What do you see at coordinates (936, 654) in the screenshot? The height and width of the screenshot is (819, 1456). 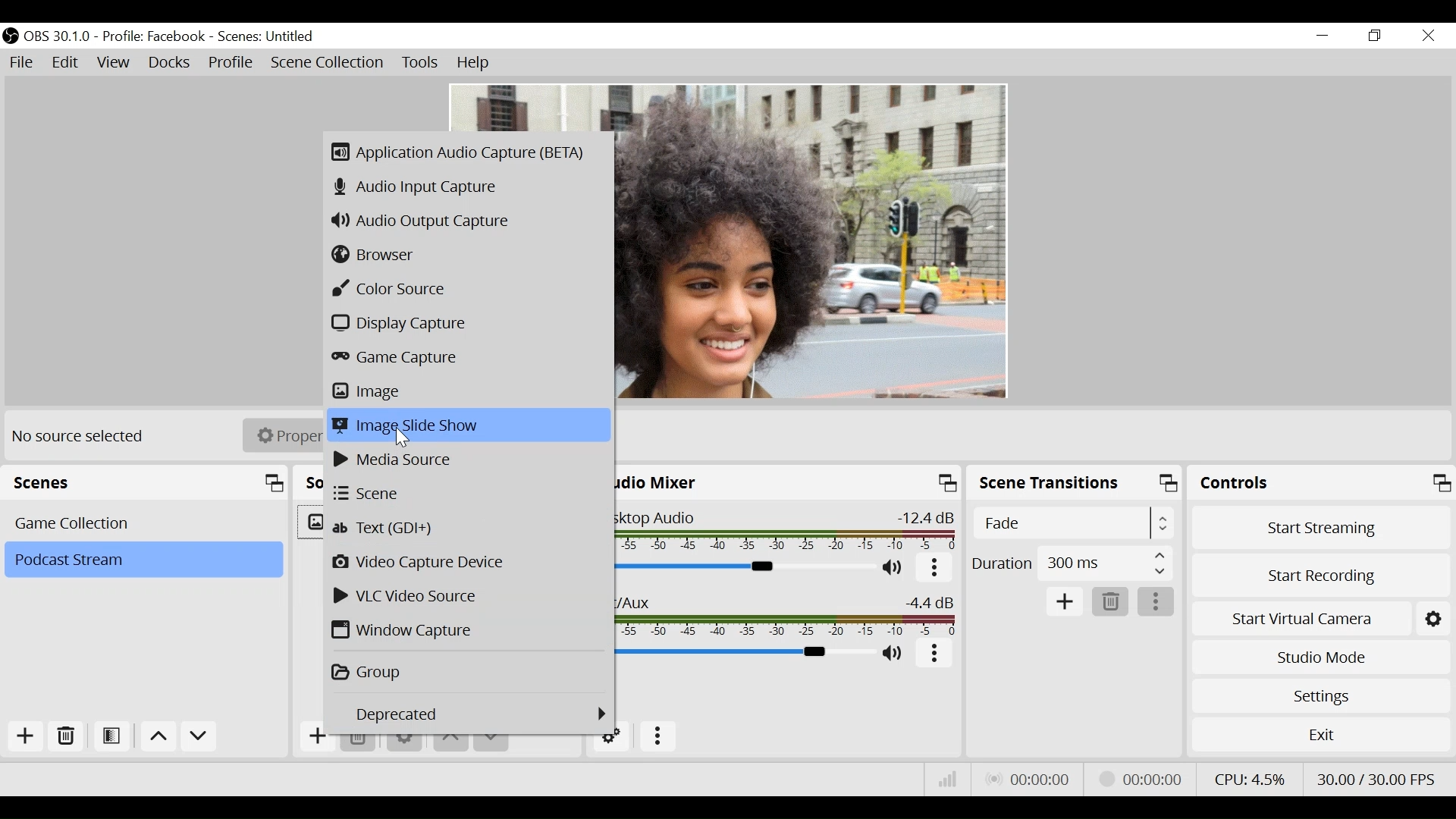 I see `More options` at bounding box center [936, 654].